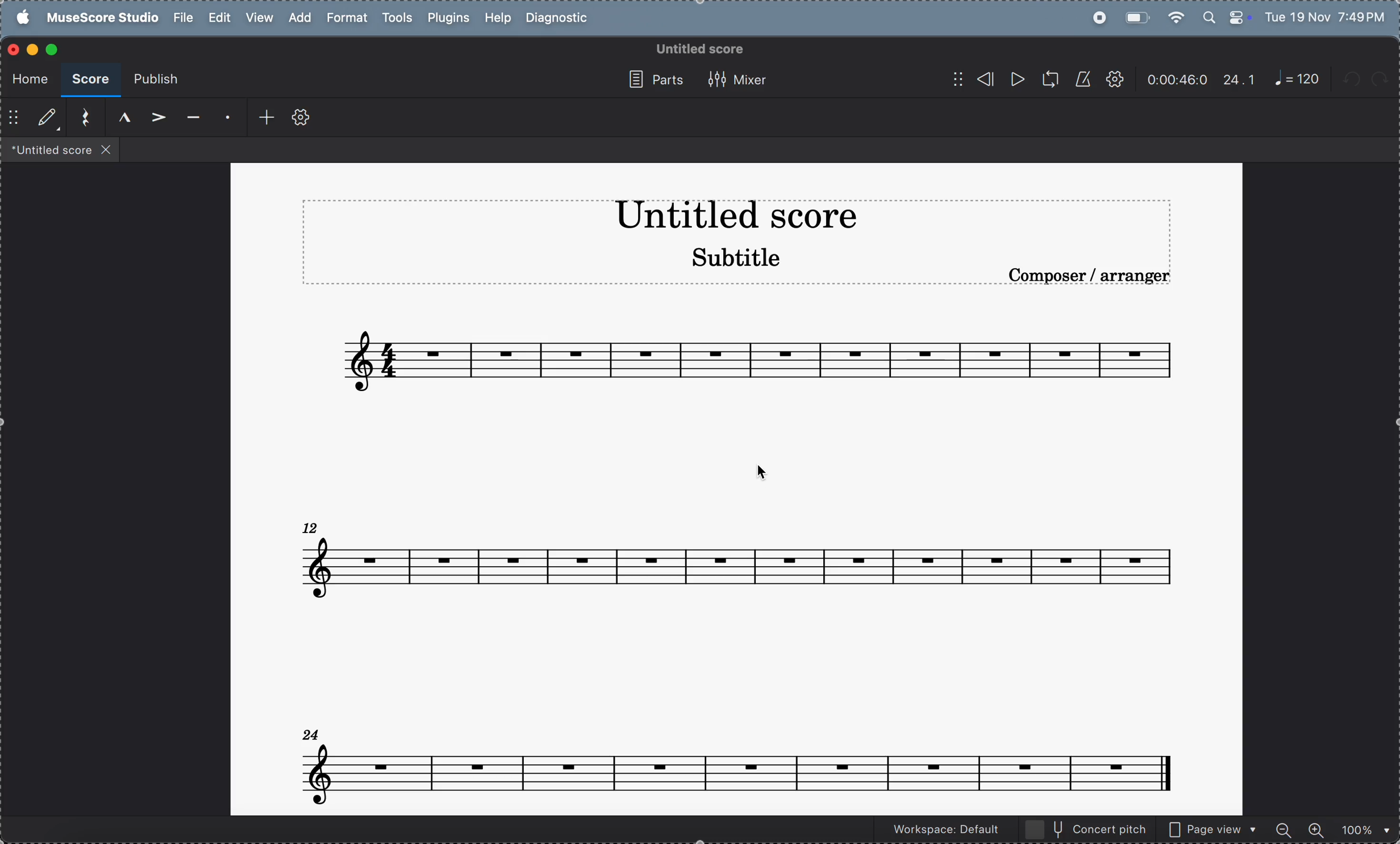 Image resolution: width=1400 pixels, height=844 pixels. Describe the element at coordinates (1297, 80) in the screenshot. I see `note 120` at that location.